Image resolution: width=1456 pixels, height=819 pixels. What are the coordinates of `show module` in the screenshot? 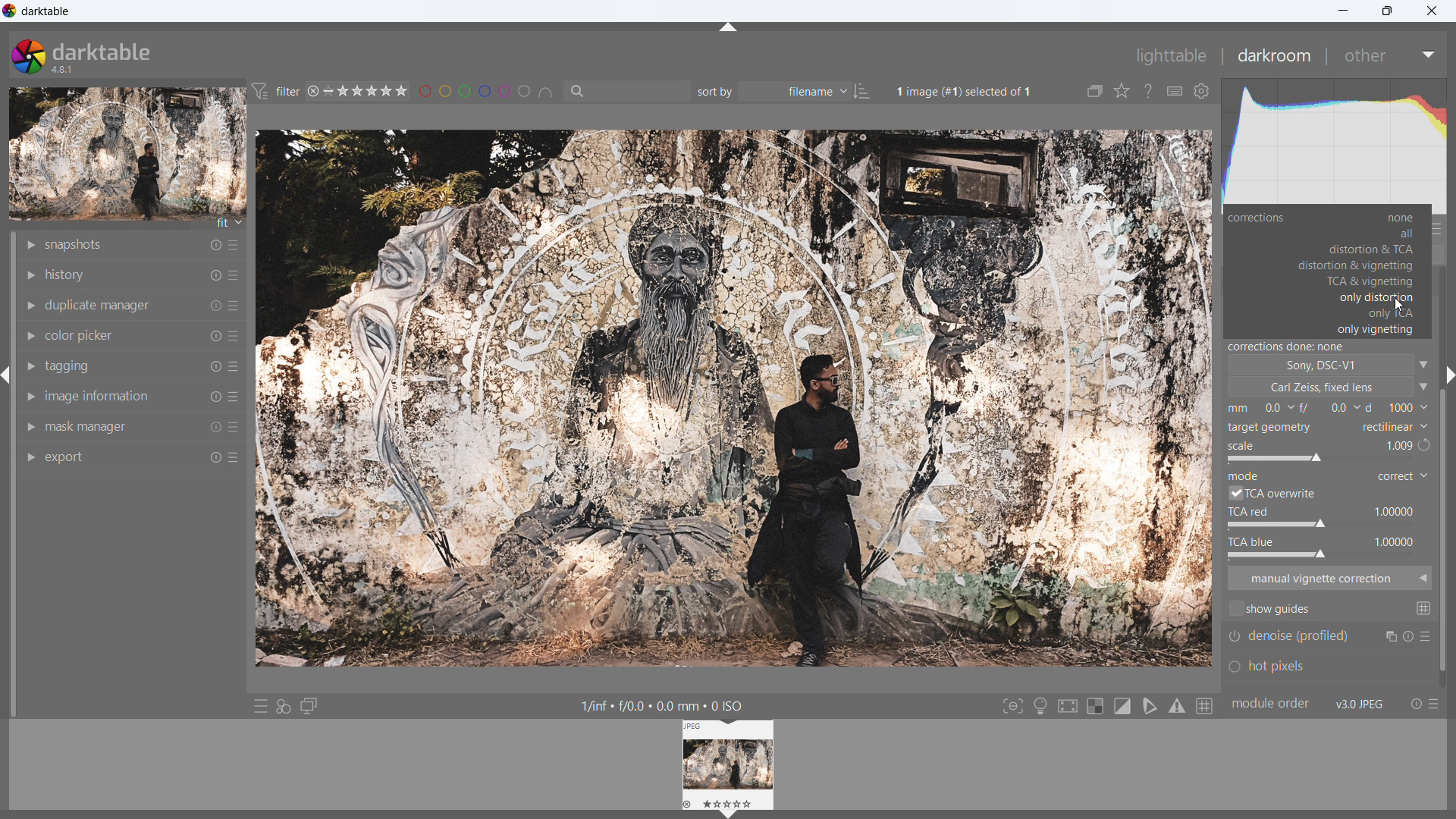 It's located at (33, 396).